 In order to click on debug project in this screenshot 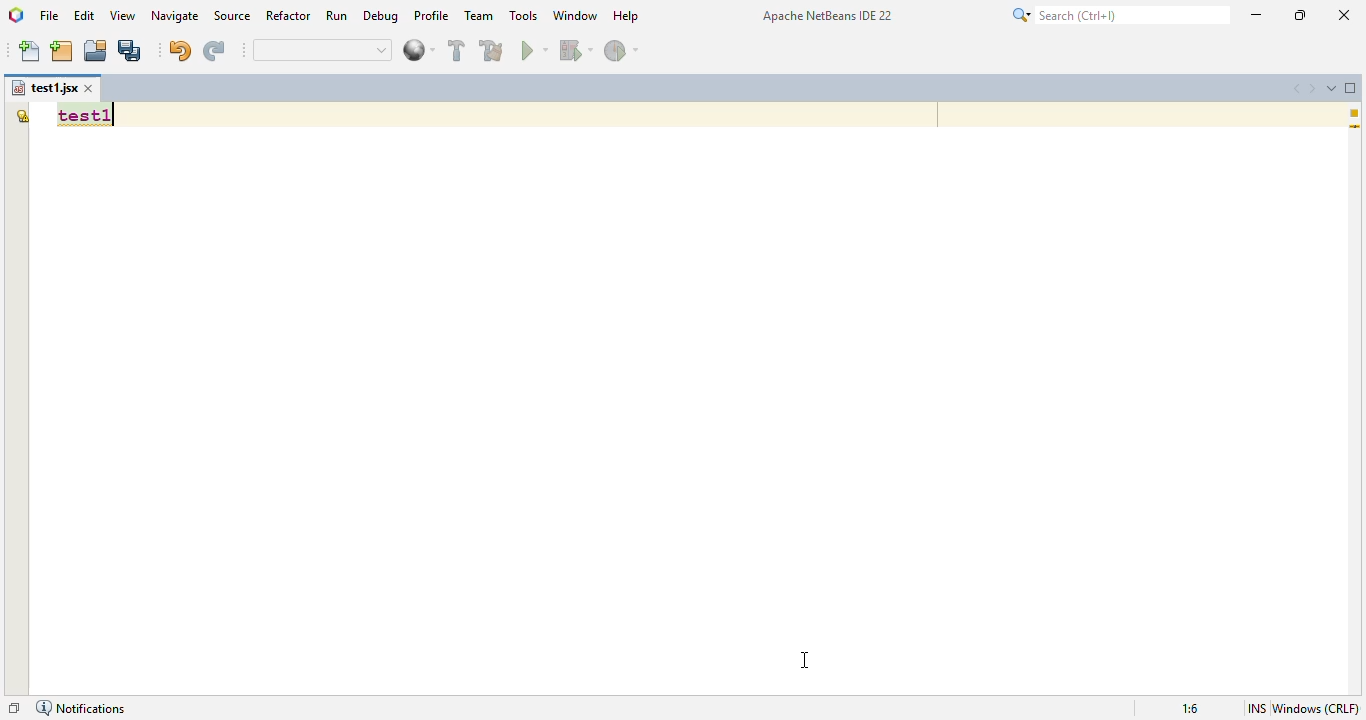, I will do `click(575, 49)`.